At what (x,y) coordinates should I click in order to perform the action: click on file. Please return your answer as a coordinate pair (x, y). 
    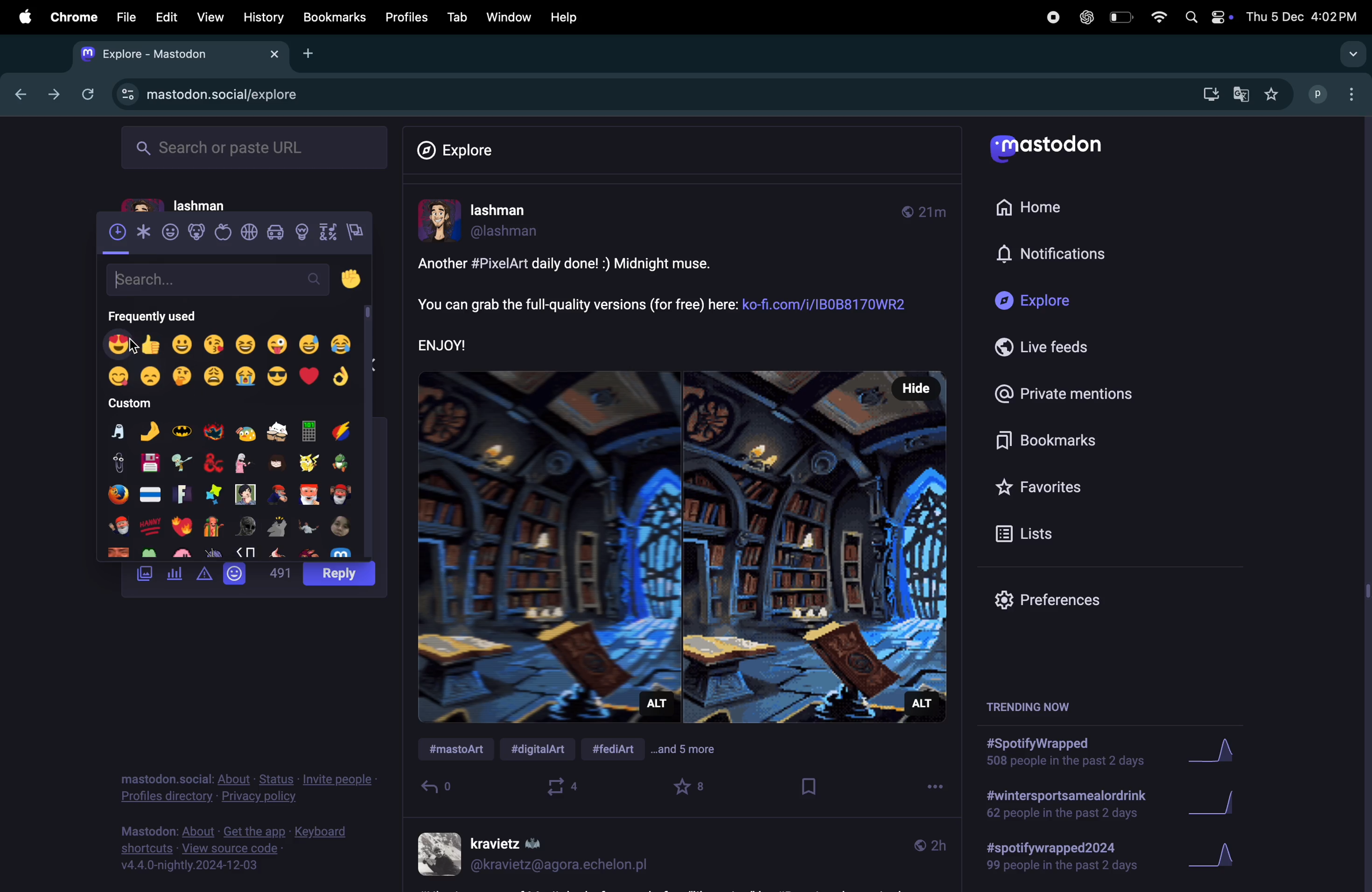
    Looking at the image, I should click on (129, 17).